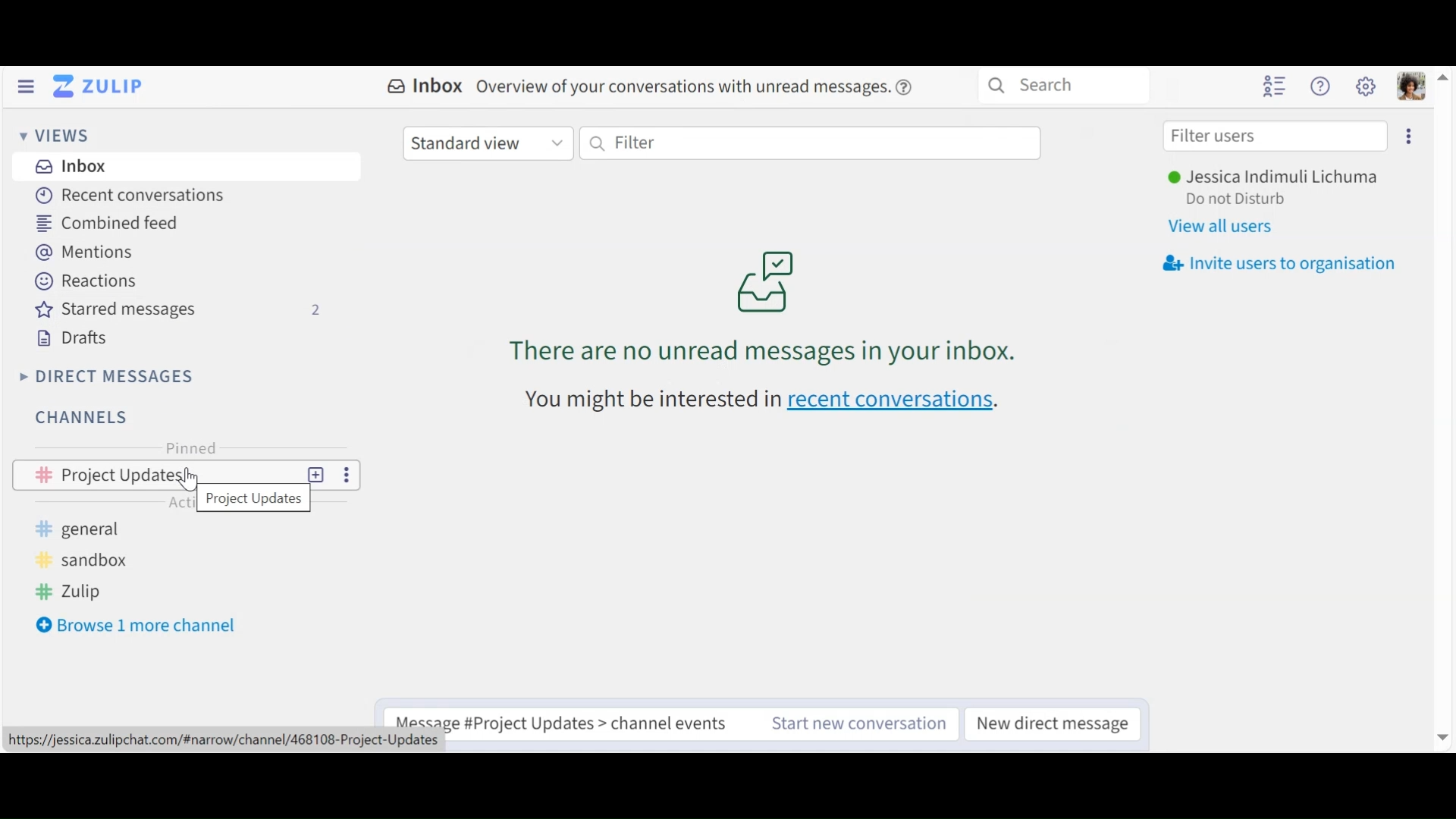 The image size is (1456, 819). I want to click on Hide Left Sidebar, so click(27, 86).